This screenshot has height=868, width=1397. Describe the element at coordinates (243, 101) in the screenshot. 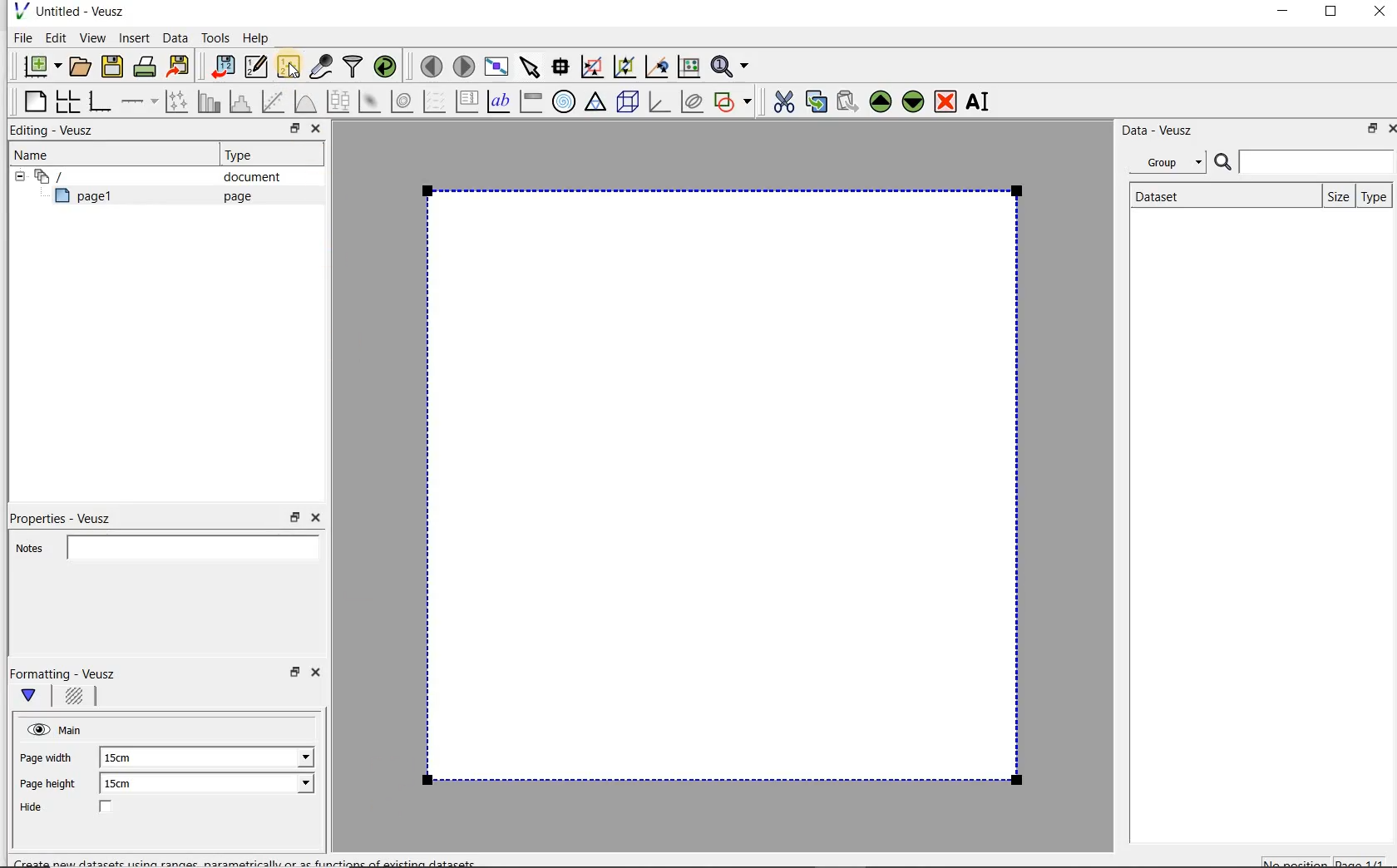

I see `histogram of a dataset` at that location.